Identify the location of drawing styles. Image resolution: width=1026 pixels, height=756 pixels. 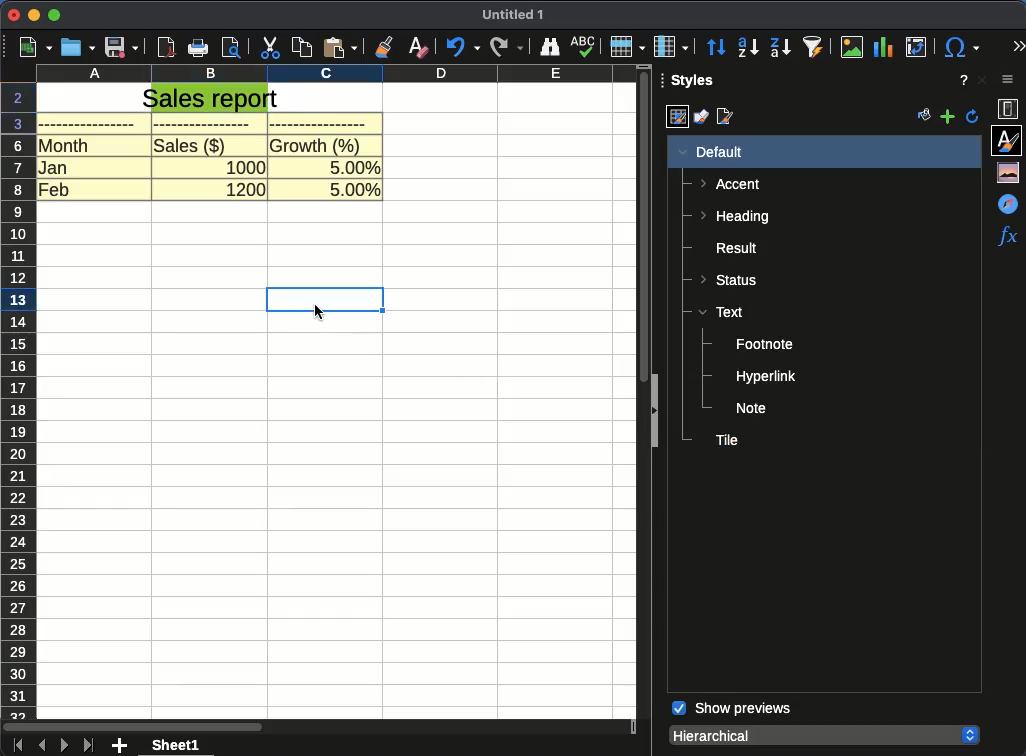
(701, 119).